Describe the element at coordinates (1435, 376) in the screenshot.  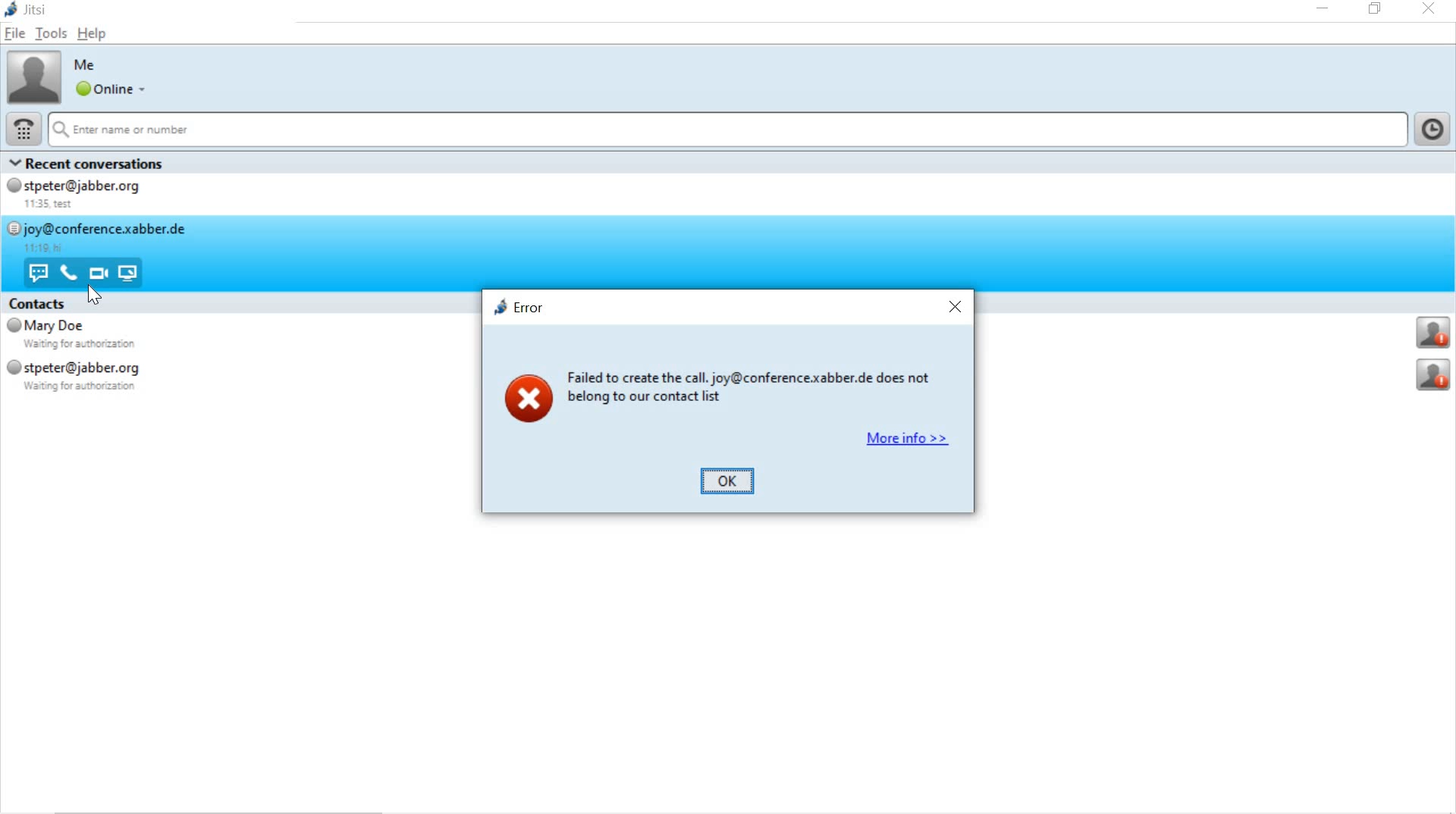
I see `profile` at that location.